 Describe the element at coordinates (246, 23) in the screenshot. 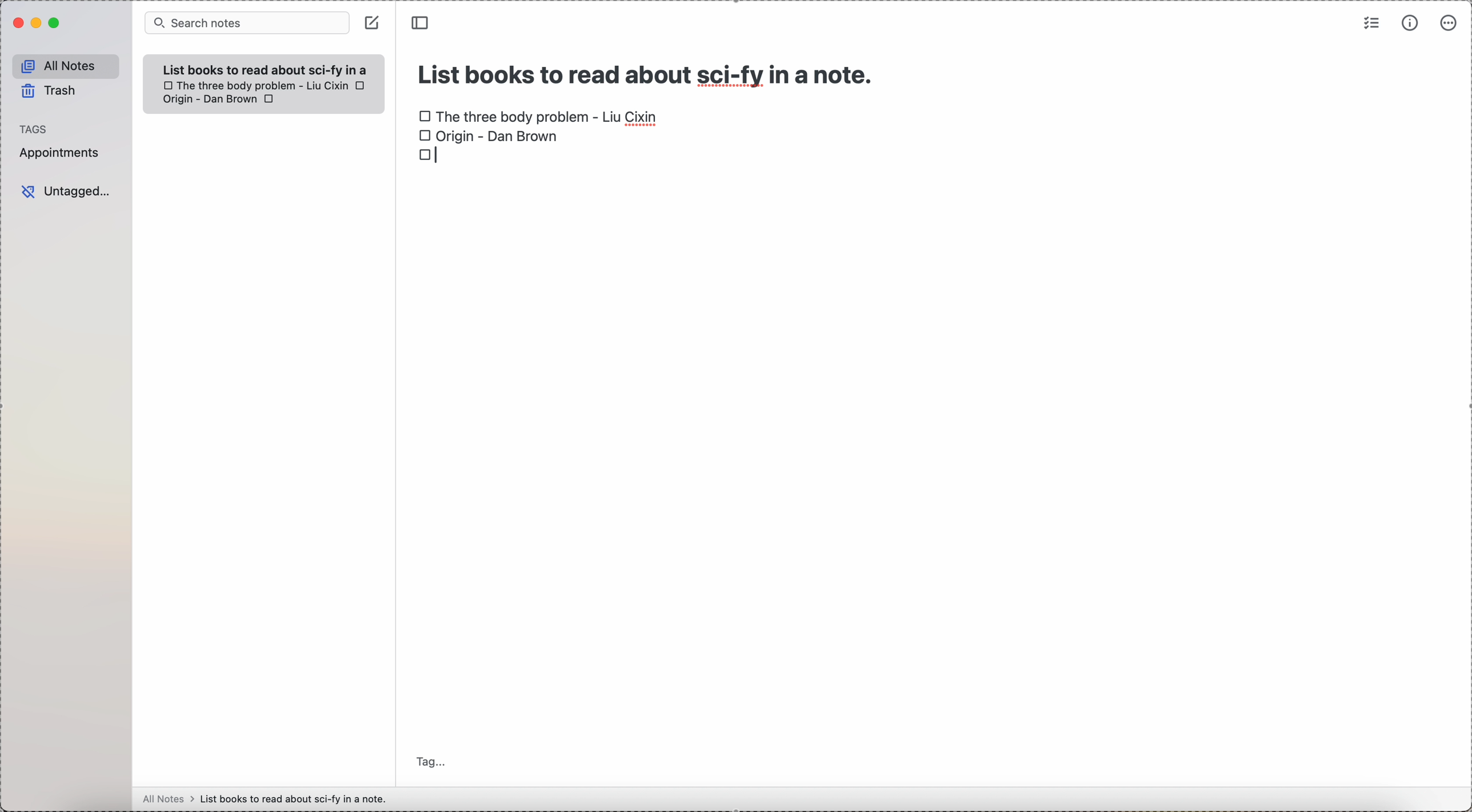

I see `search bar` at that location.